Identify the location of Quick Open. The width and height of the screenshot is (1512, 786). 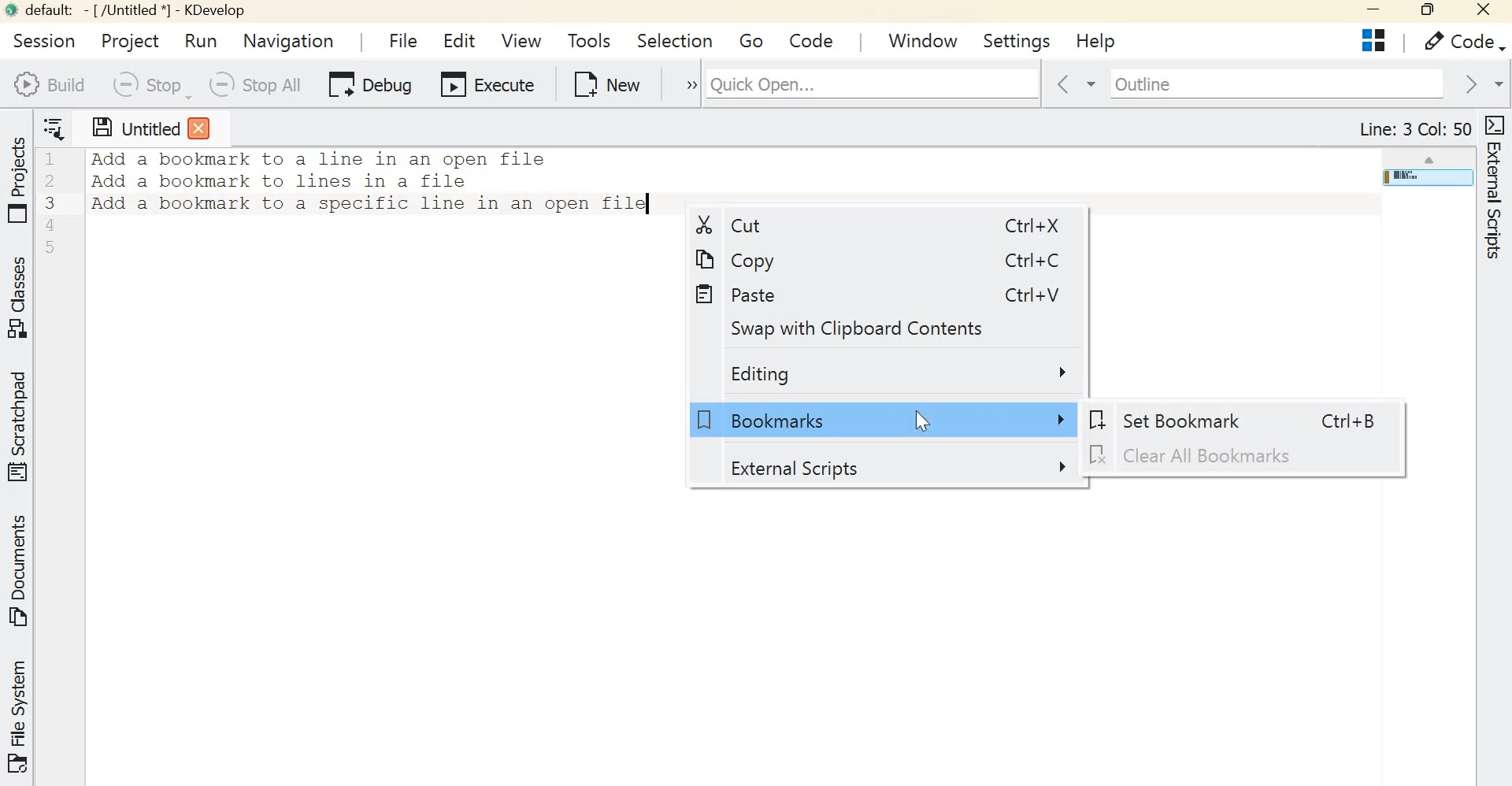
(872, 81).